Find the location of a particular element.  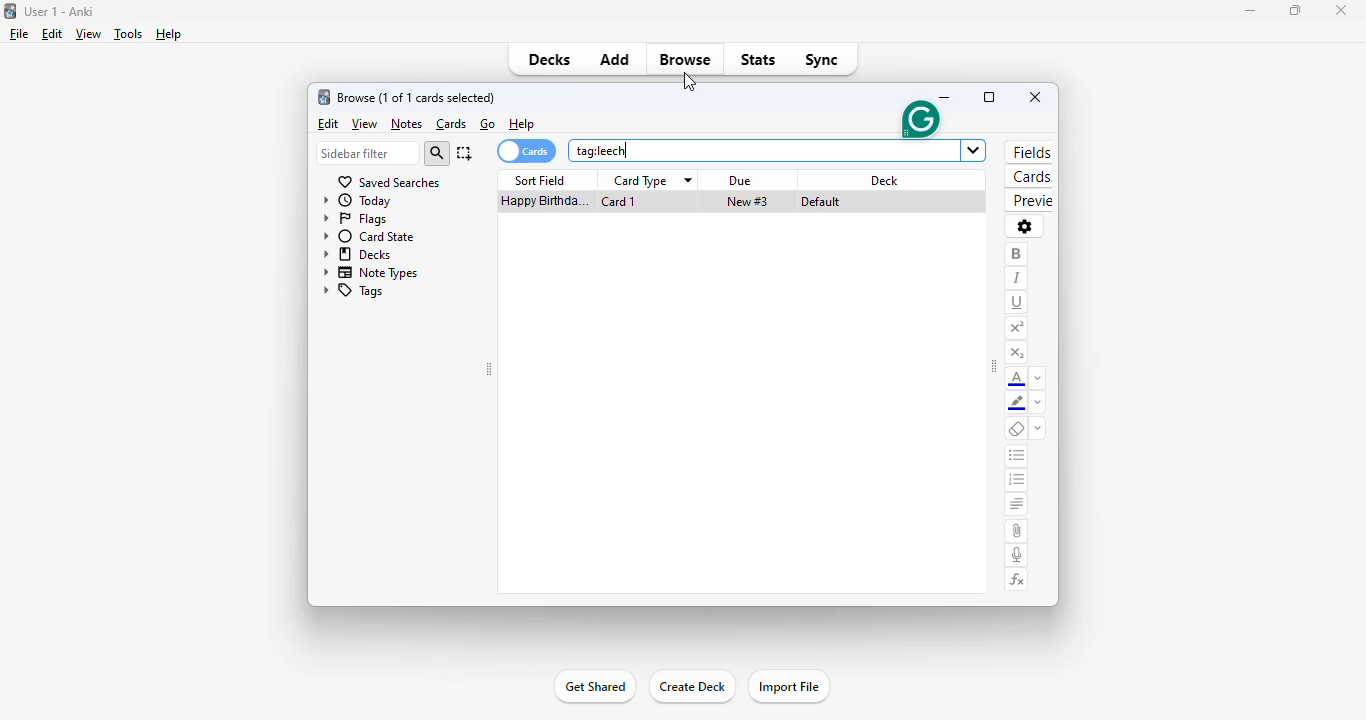

cursor is located at coordinates (690, 83).